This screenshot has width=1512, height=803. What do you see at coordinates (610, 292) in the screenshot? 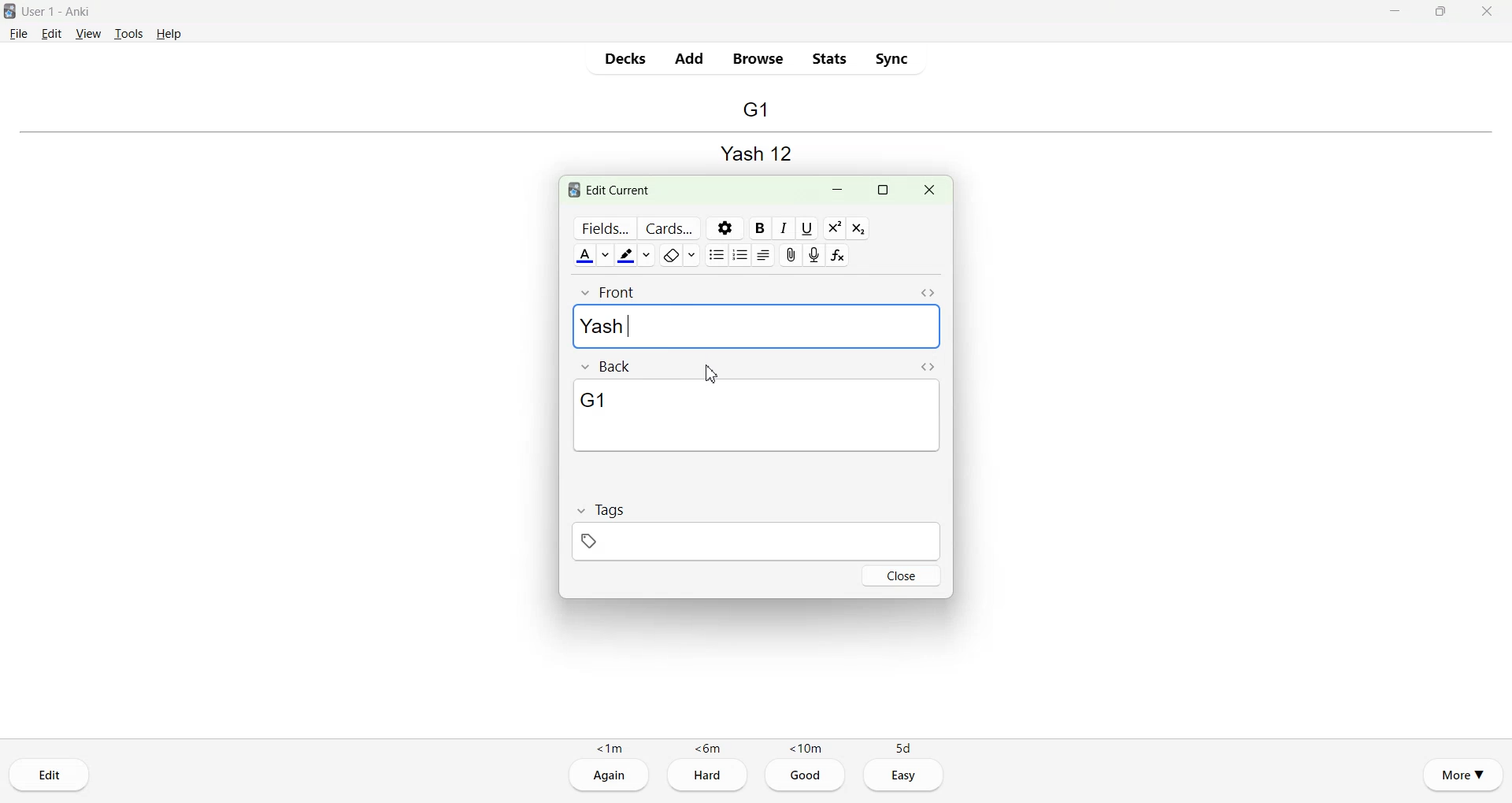
I see `Front` at bounding box center [610, 292].